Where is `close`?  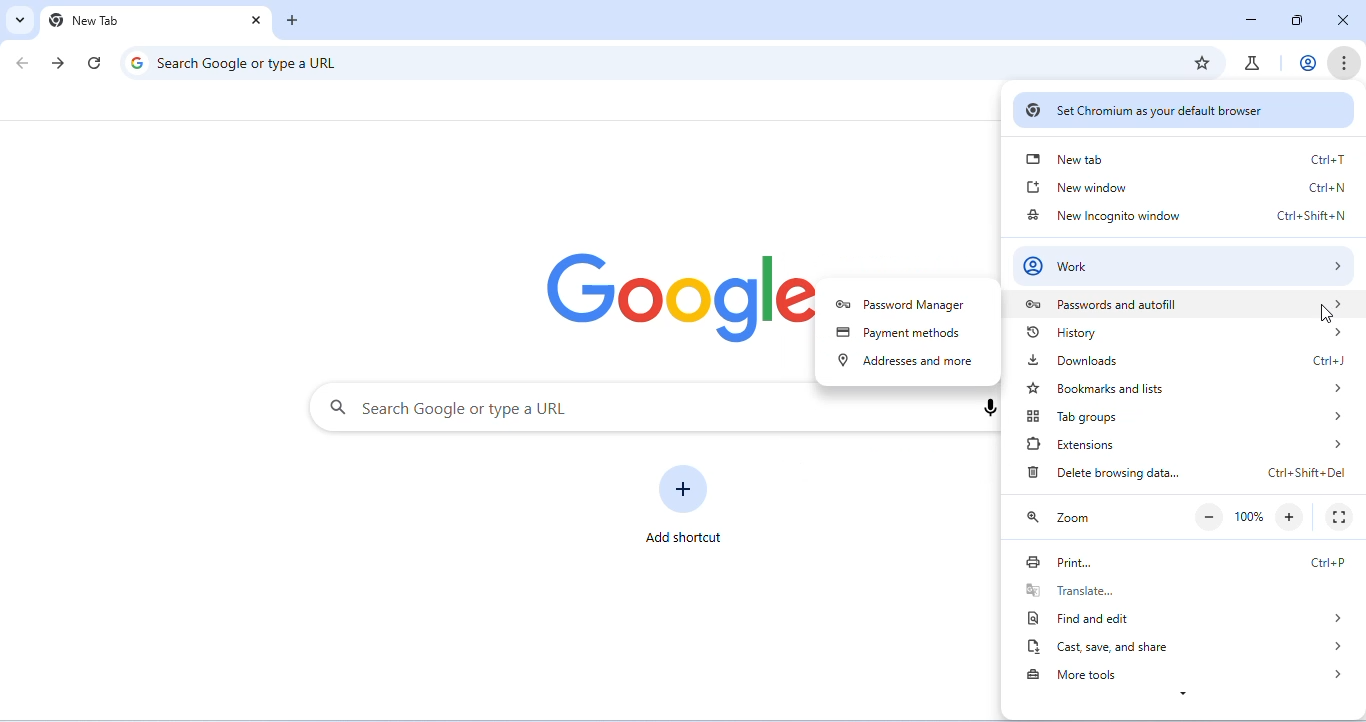 close is located at coordinates (1346, 21).